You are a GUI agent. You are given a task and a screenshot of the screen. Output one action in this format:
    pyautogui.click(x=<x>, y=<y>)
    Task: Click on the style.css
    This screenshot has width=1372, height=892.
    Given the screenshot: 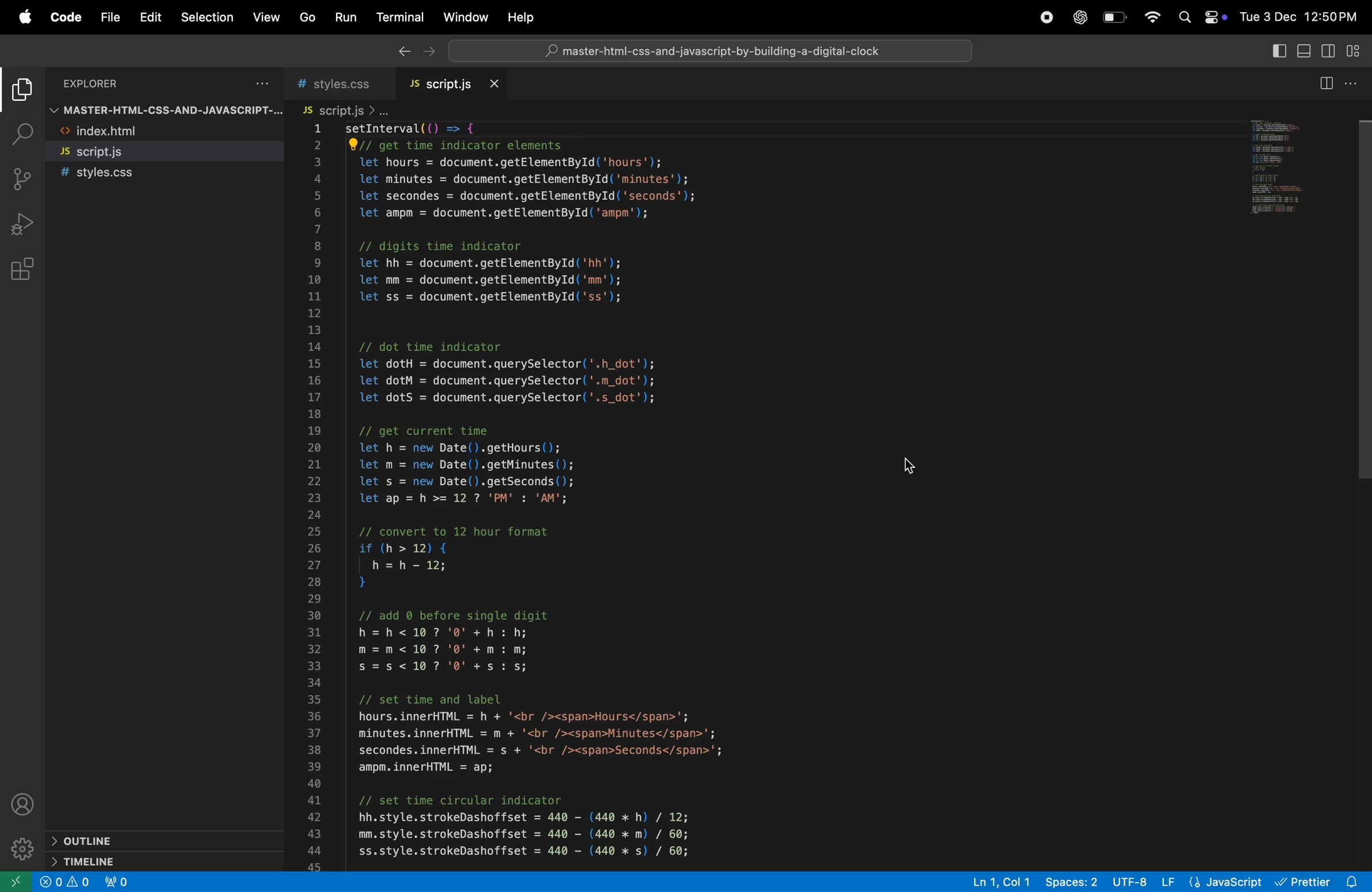 What is the action you would take?
    pyautogui.click(x=342, y=84)
    